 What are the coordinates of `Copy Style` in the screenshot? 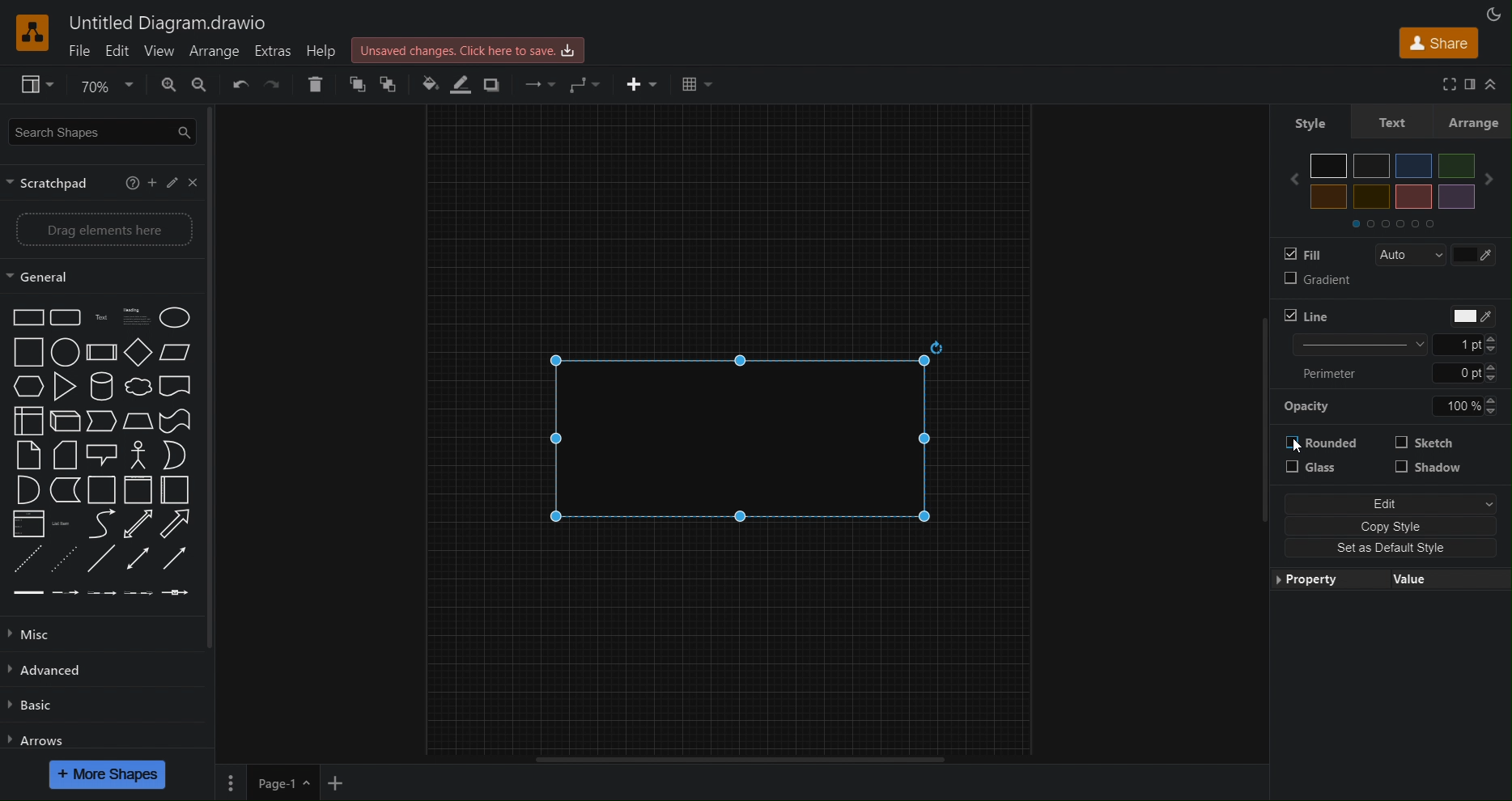 It's located at (1393, 528).